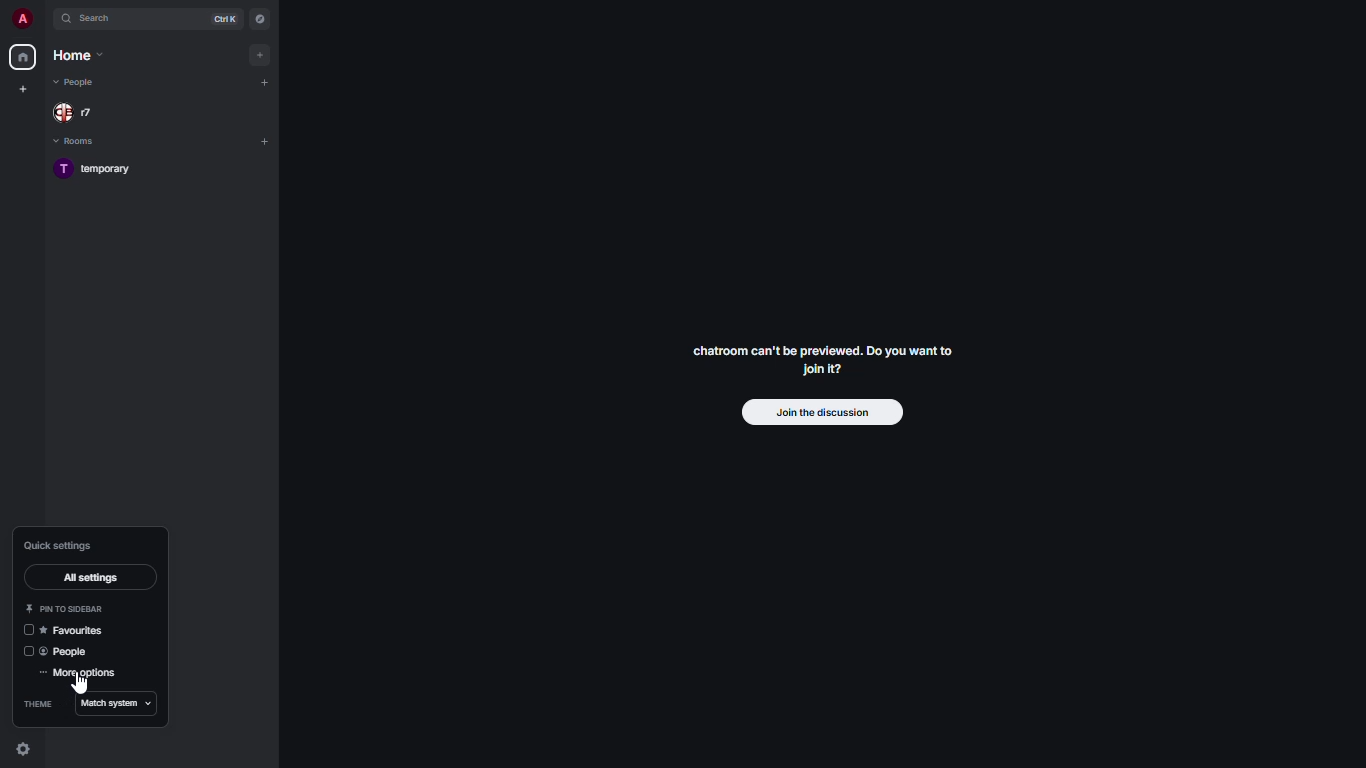 Image resolution: width=1366 pixels, height=768 pixels. What do you see at coordinates (79, 142) in the screenshot?
I see `rooms` at bounding box center [79, 142].